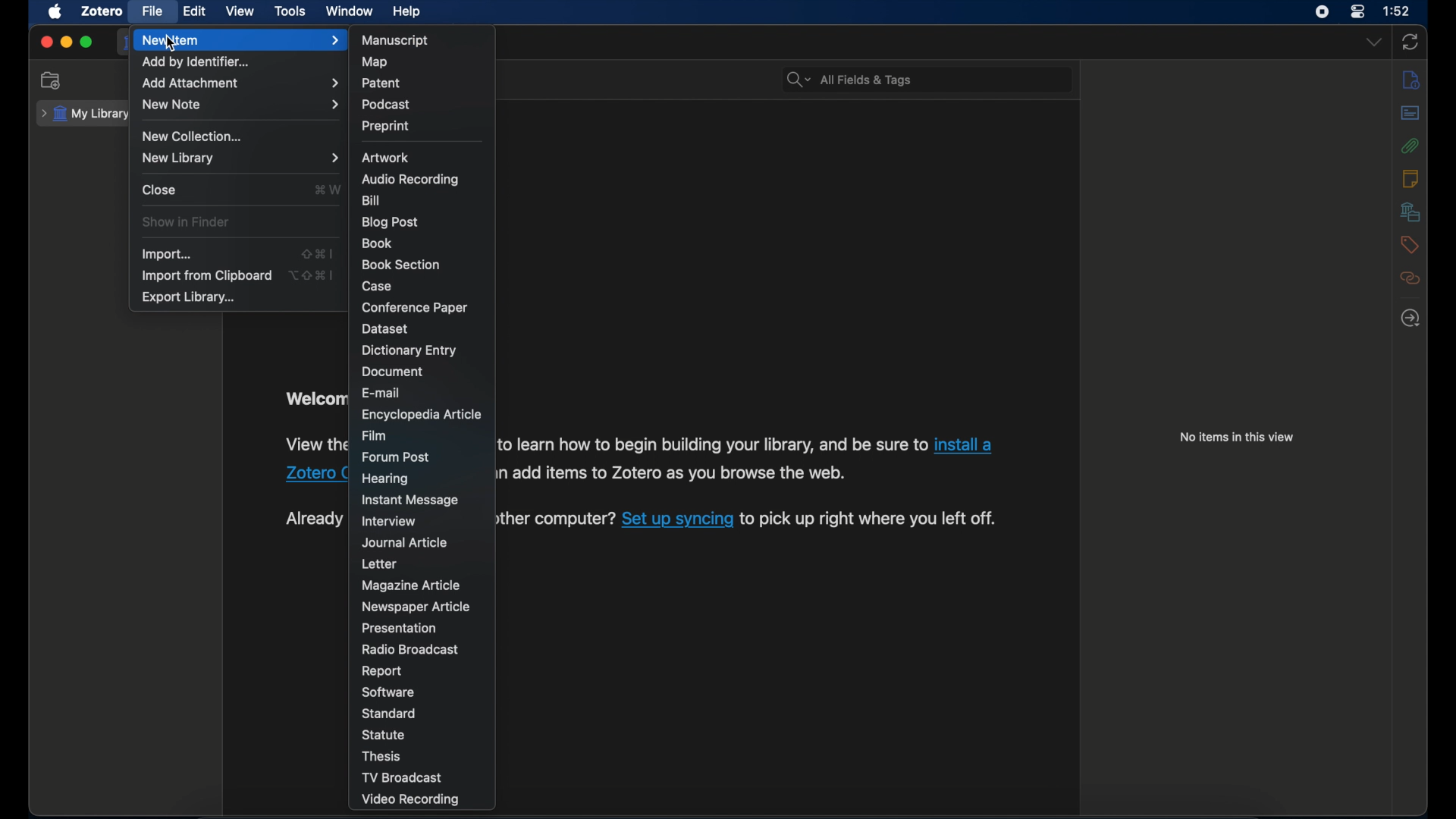  Describe the element at coordinates (350, 11) in the screenshot. I see `window` at that location.